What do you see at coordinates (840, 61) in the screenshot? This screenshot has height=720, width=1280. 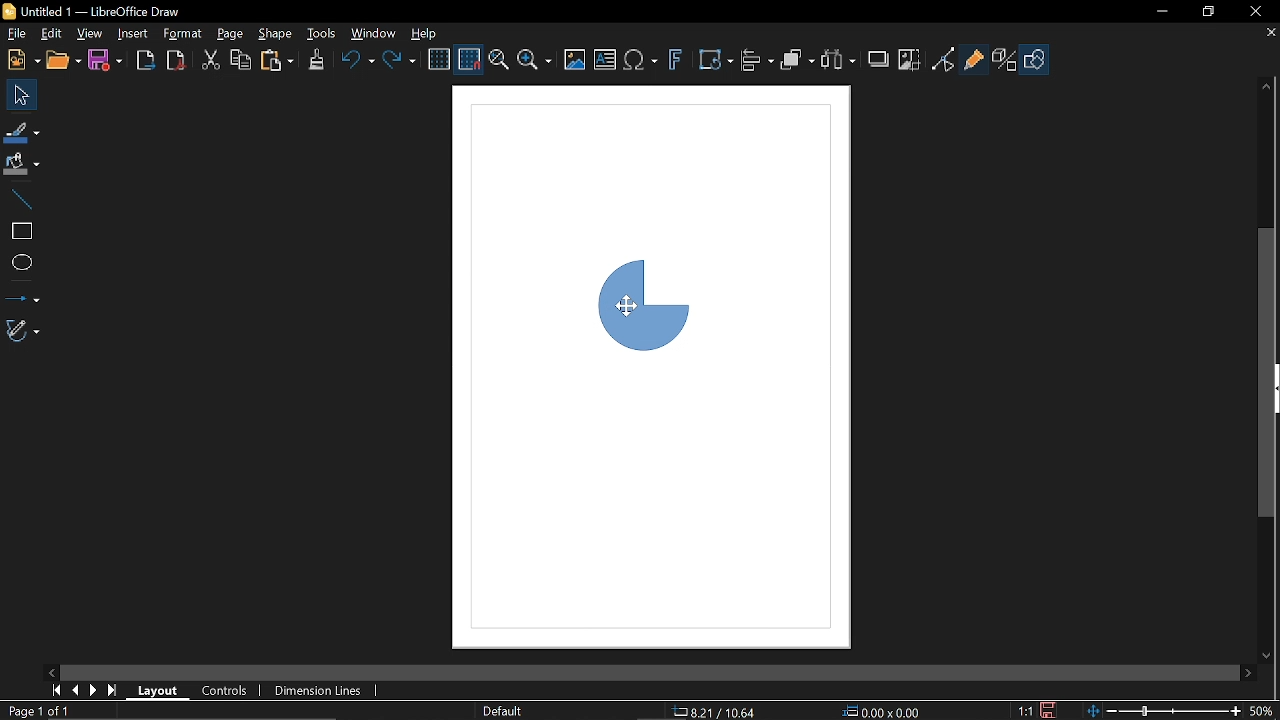 I see `Select at least three objects to distribute` at bounding box center [840, 61].